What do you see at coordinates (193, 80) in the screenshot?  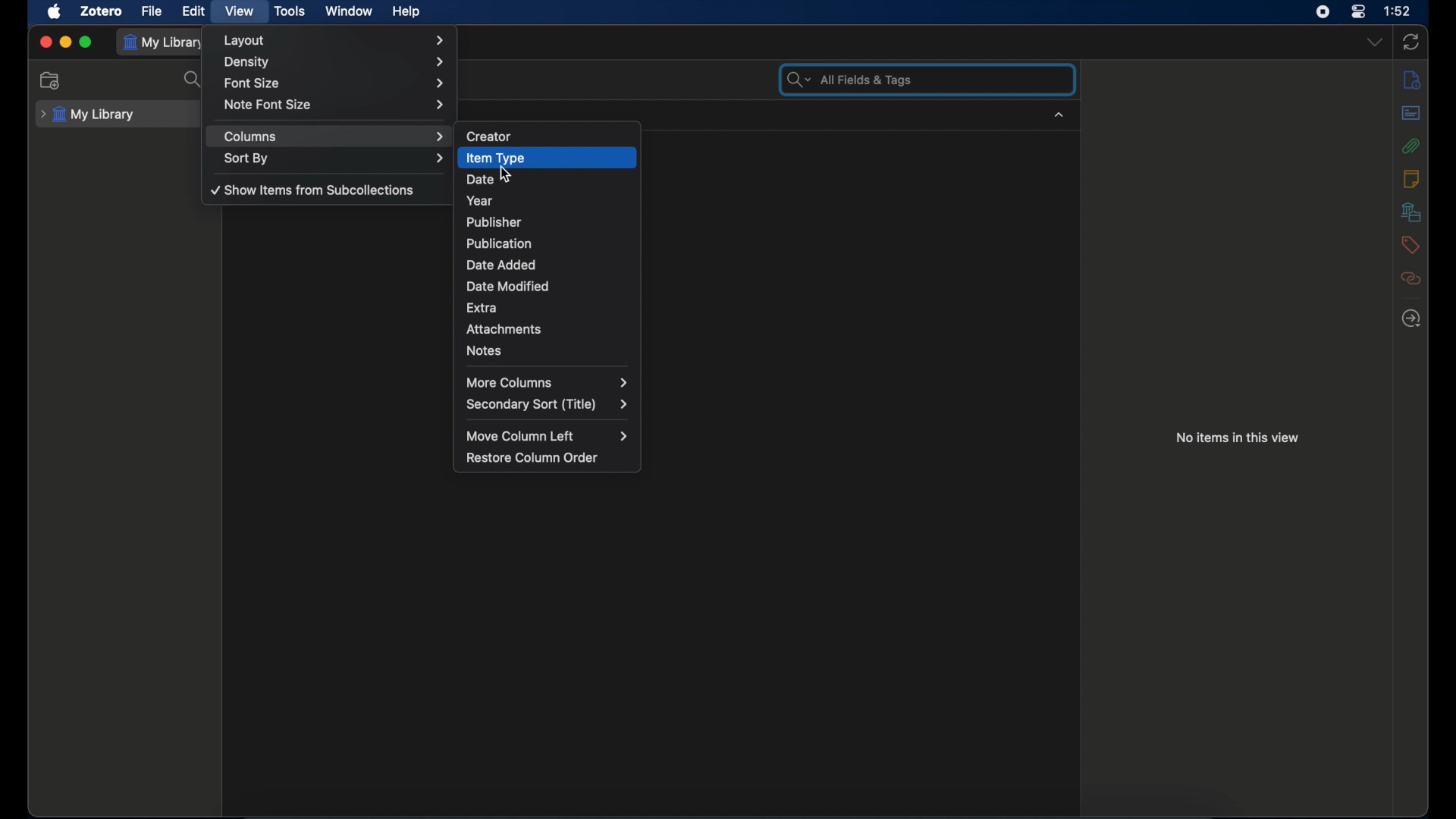 I see `search` at bounding box center [193, 80].